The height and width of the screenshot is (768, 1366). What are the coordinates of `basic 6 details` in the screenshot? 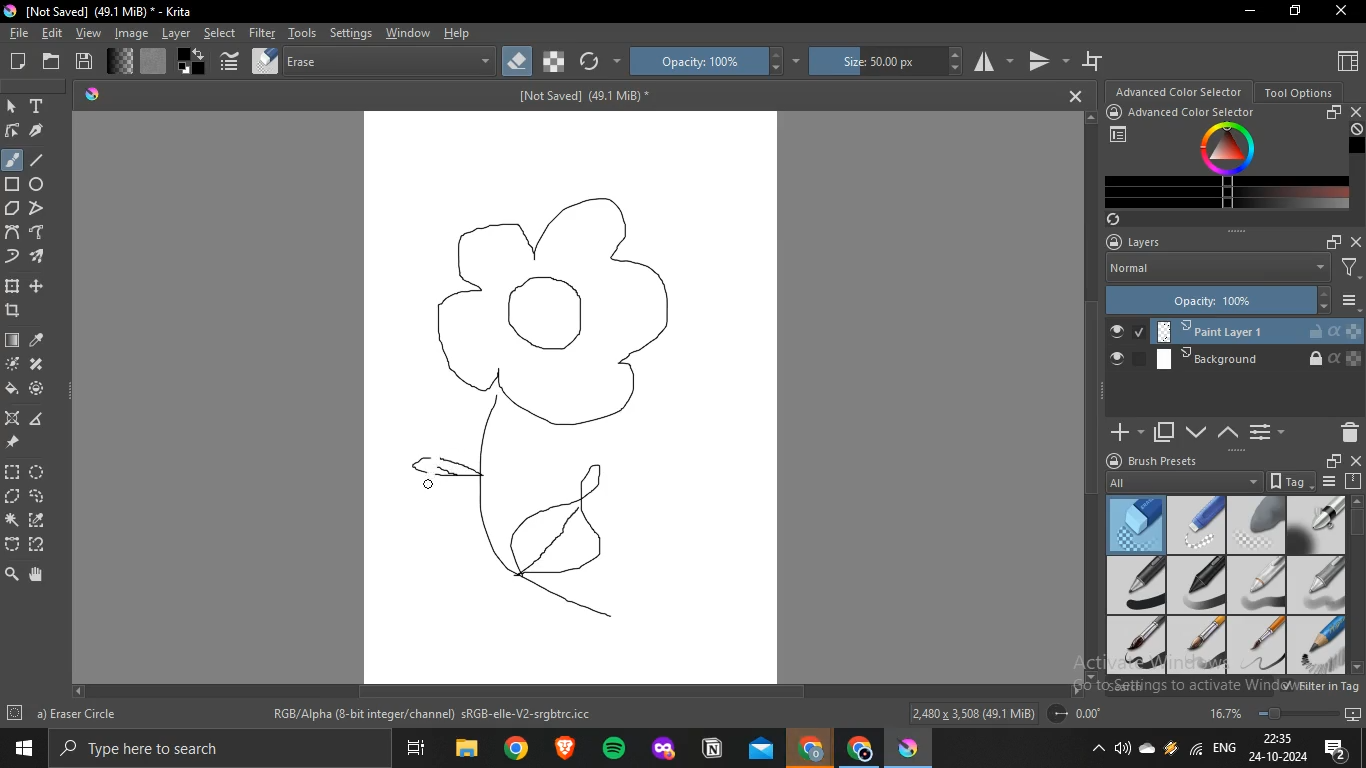 It's located at (1258, 646).